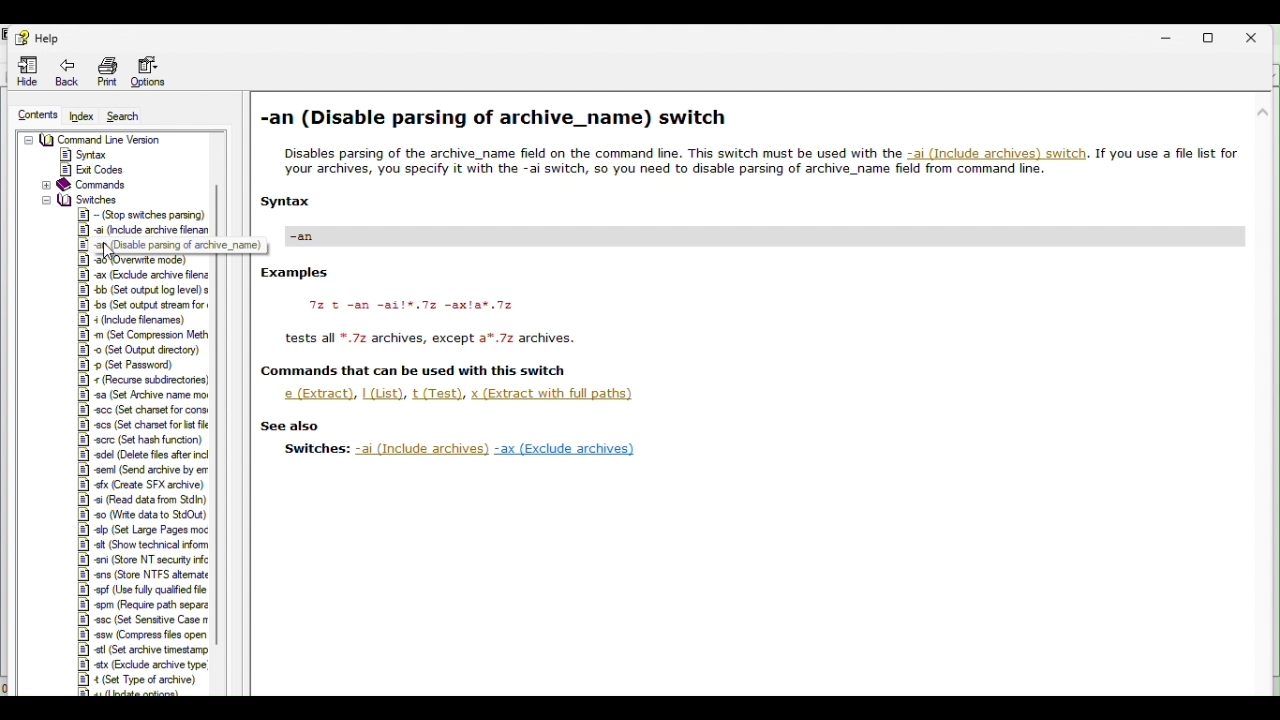 The height and width of the screenshot is (720, 1280). What do you see at coordinates (1211, 37) in the screenshot?
I see `Restore` at bounding box center [1211, 37].